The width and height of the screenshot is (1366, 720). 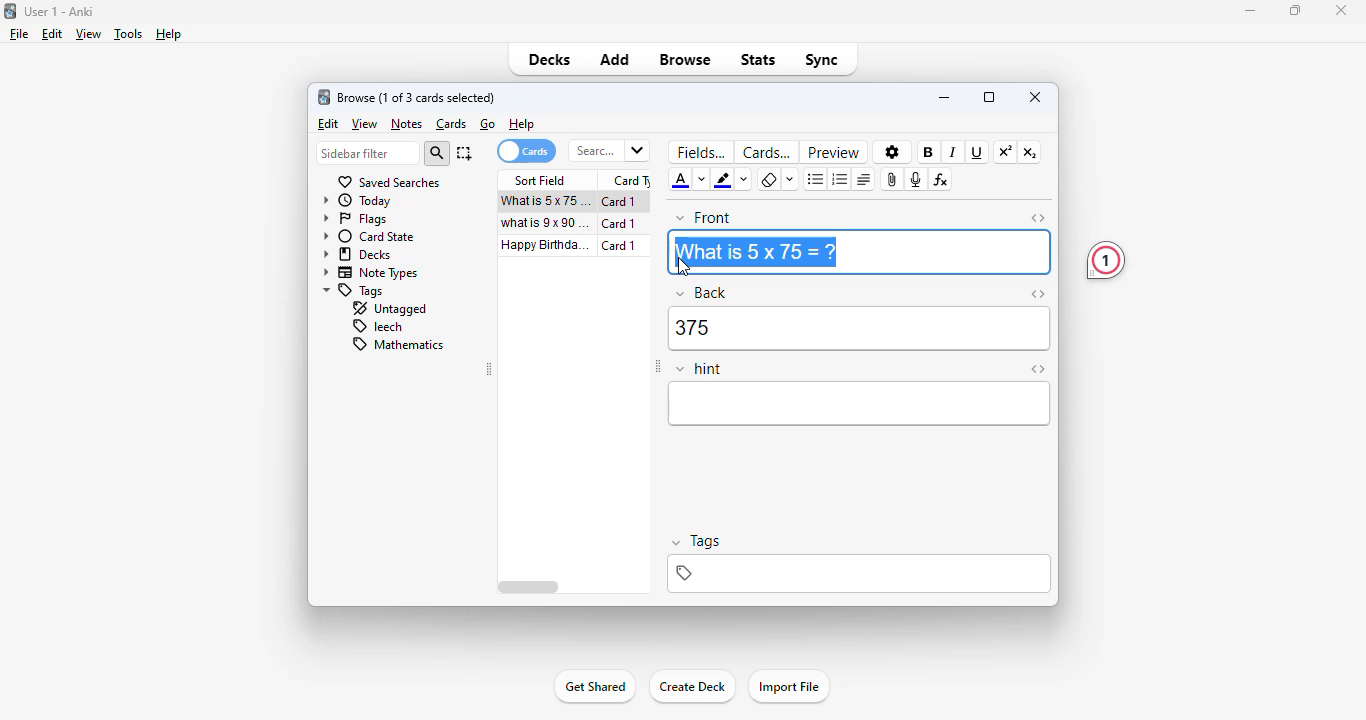 I want to click on create deck, so click(x=692, y=687).